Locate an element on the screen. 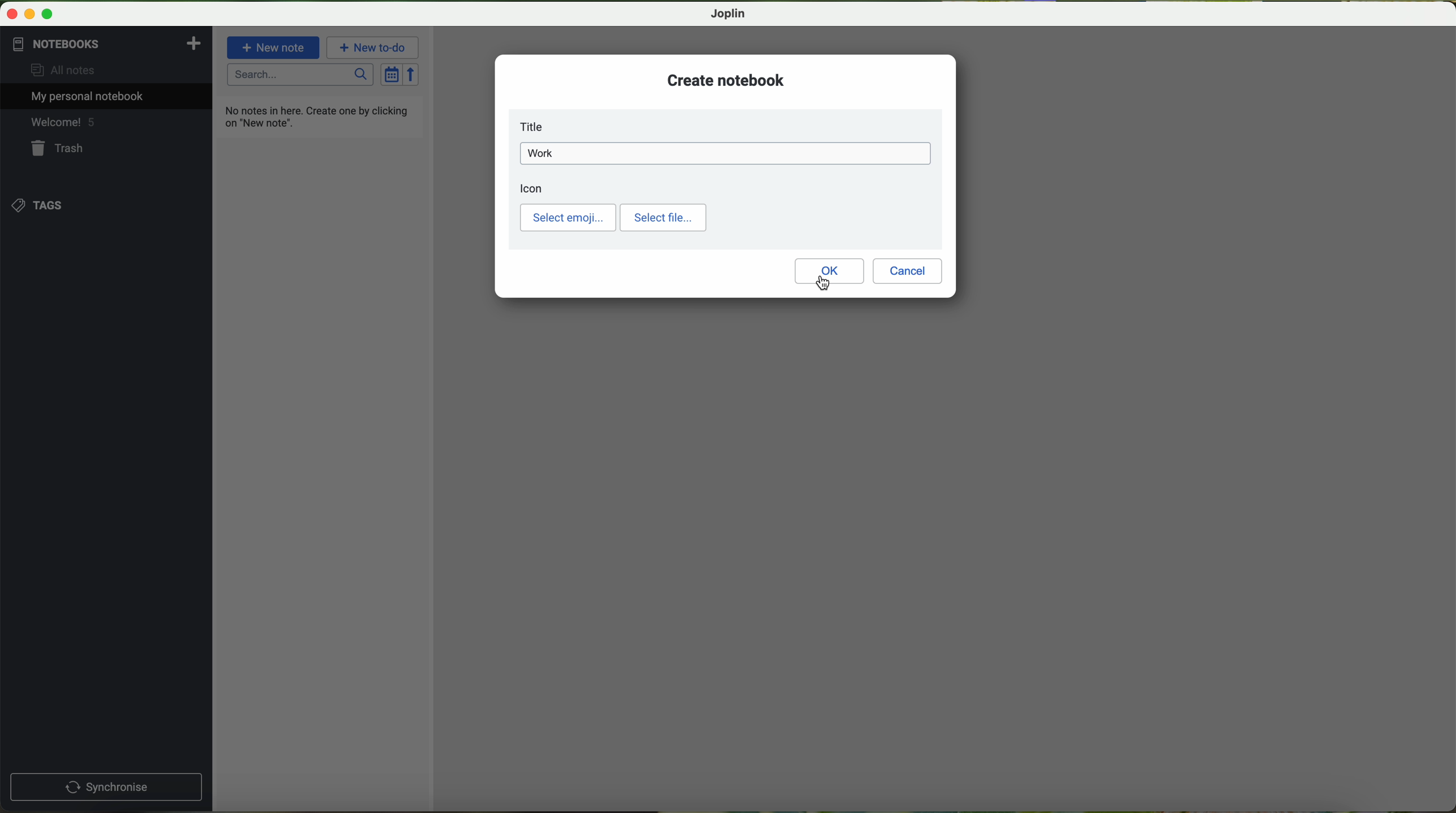 Image resolution: width=1456 pixels, height=813 pixels. maximize is located at coordinates (47, 15).